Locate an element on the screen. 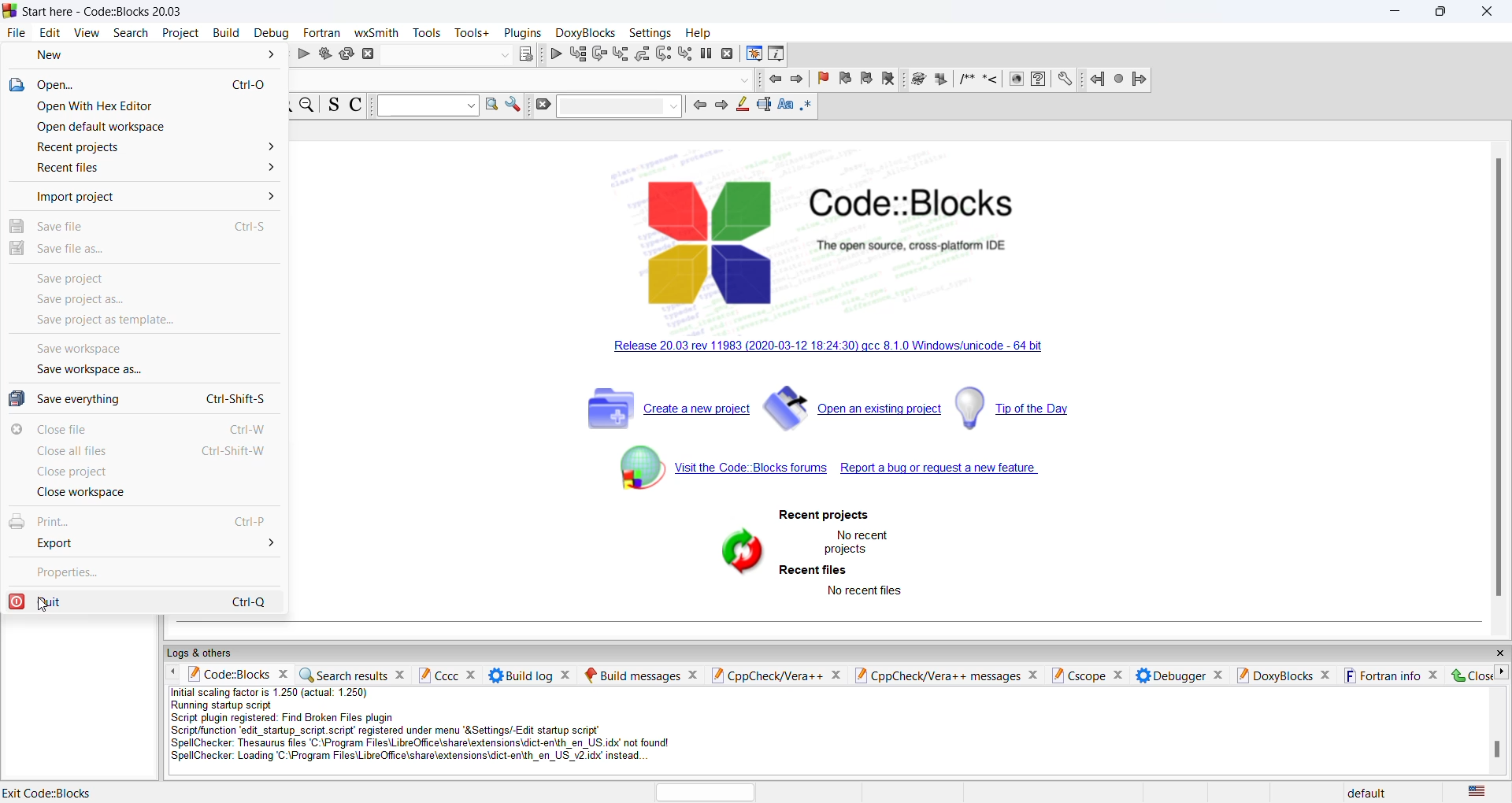  cpp check pane is located at coordinates (937, 677).